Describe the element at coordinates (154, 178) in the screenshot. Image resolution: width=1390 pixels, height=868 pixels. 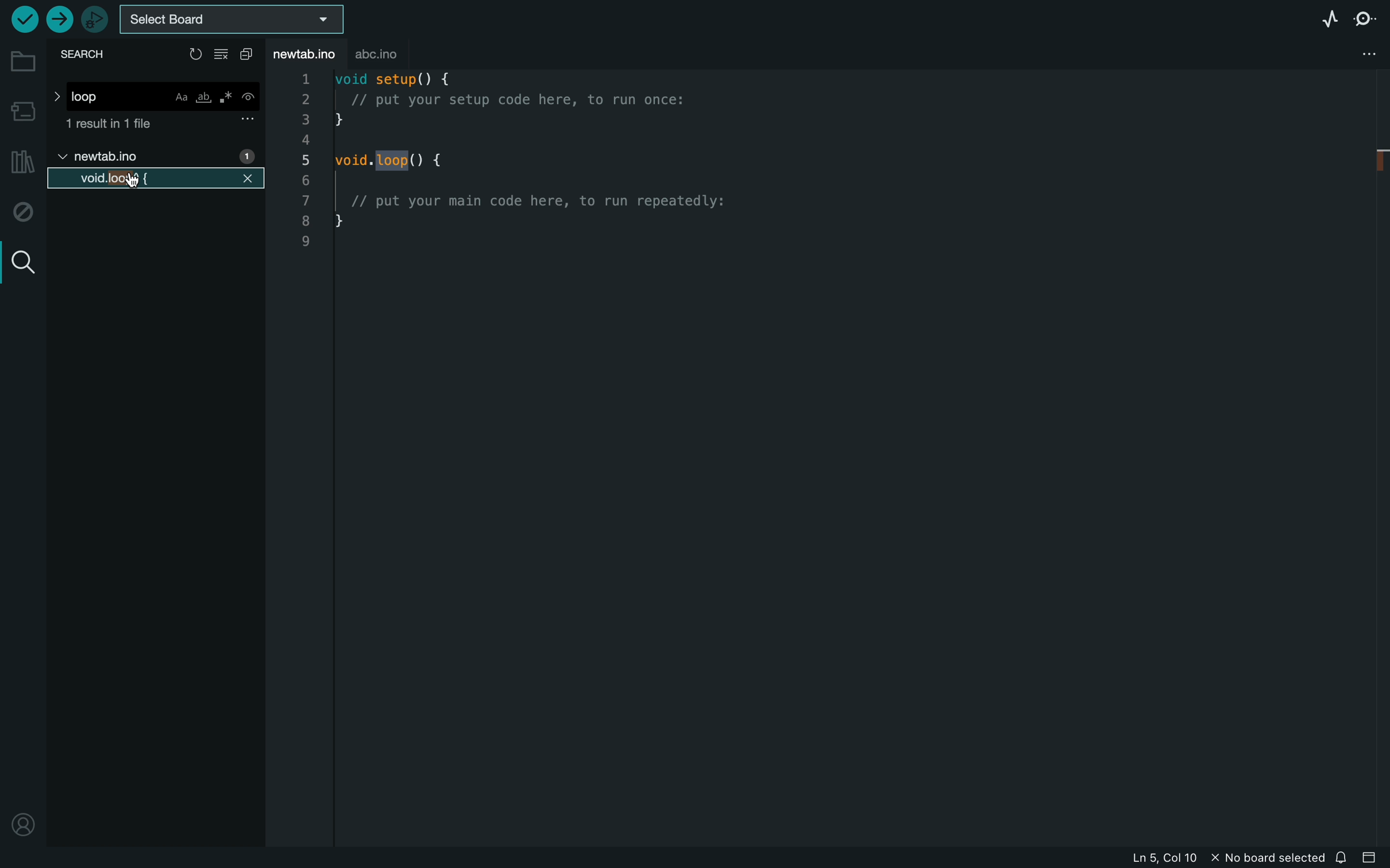
I see `selected search` at that location.